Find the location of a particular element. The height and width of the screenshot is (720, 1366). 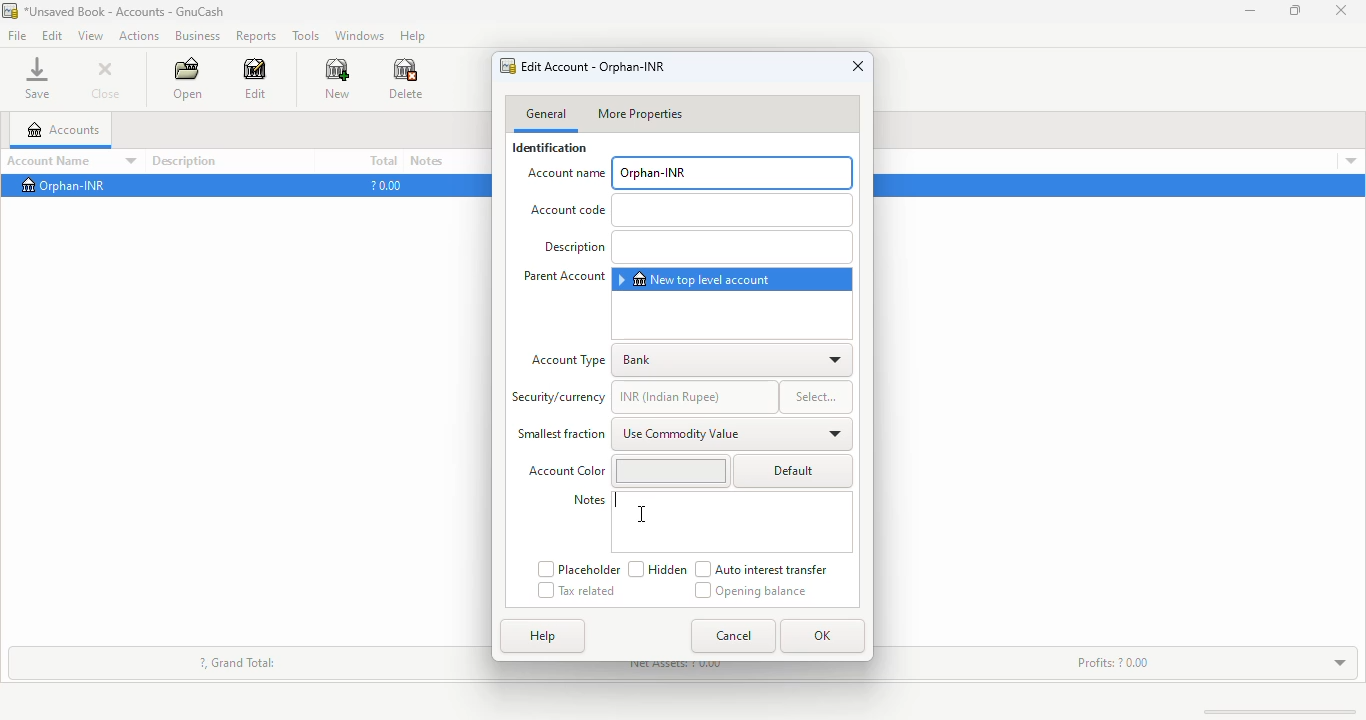

smallest fraction is located at coordinates (561, 434).